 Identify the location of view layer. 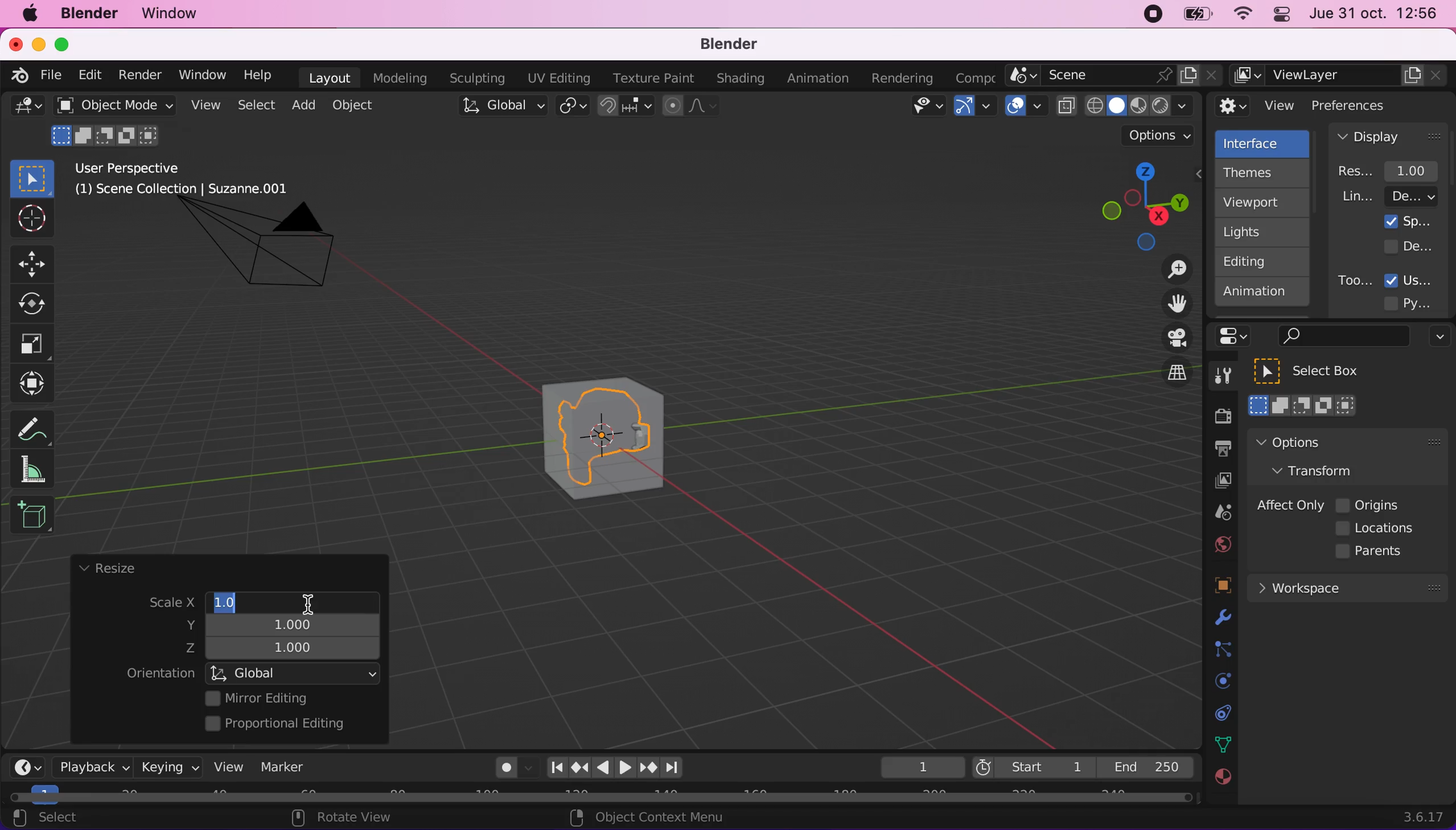
(1217, 482).